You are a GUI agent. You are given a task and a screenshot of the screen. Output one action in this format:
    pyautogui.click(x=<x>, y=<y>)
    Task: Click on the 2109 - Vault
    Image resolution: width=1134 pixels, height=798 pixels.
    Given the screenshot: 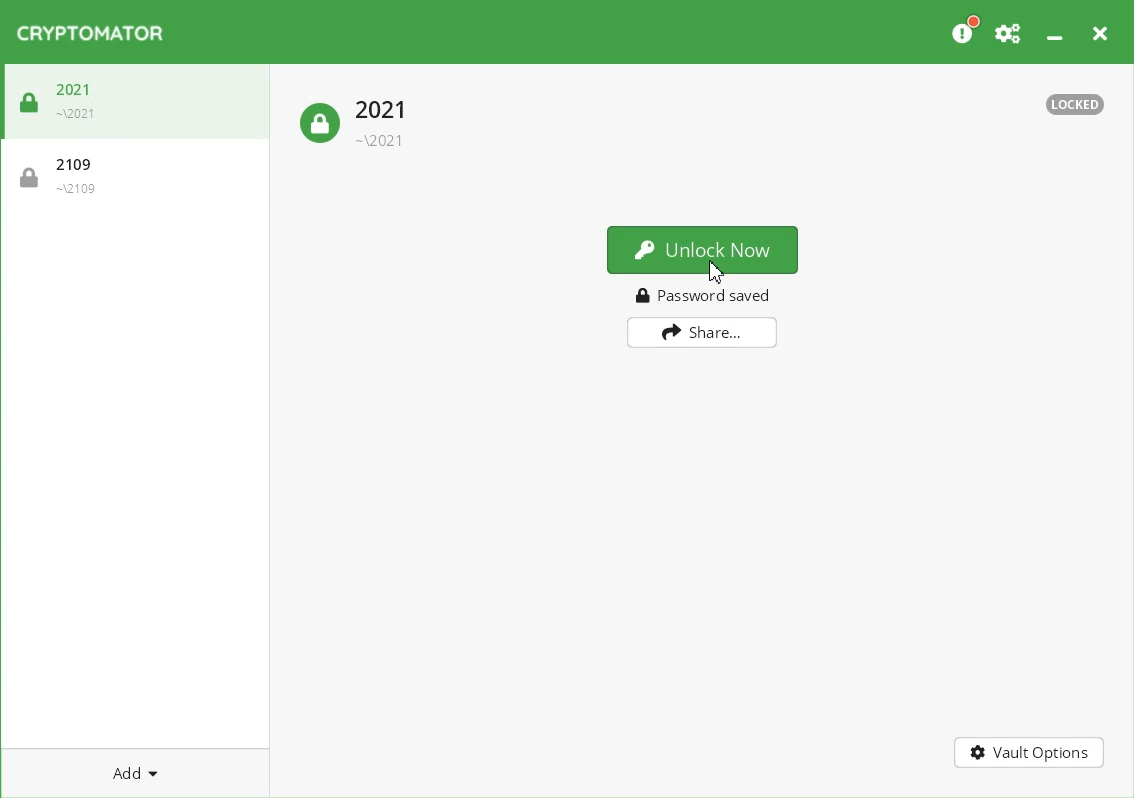 What is the action you would take?
    pyautogui.click(x=133, y=173)
    